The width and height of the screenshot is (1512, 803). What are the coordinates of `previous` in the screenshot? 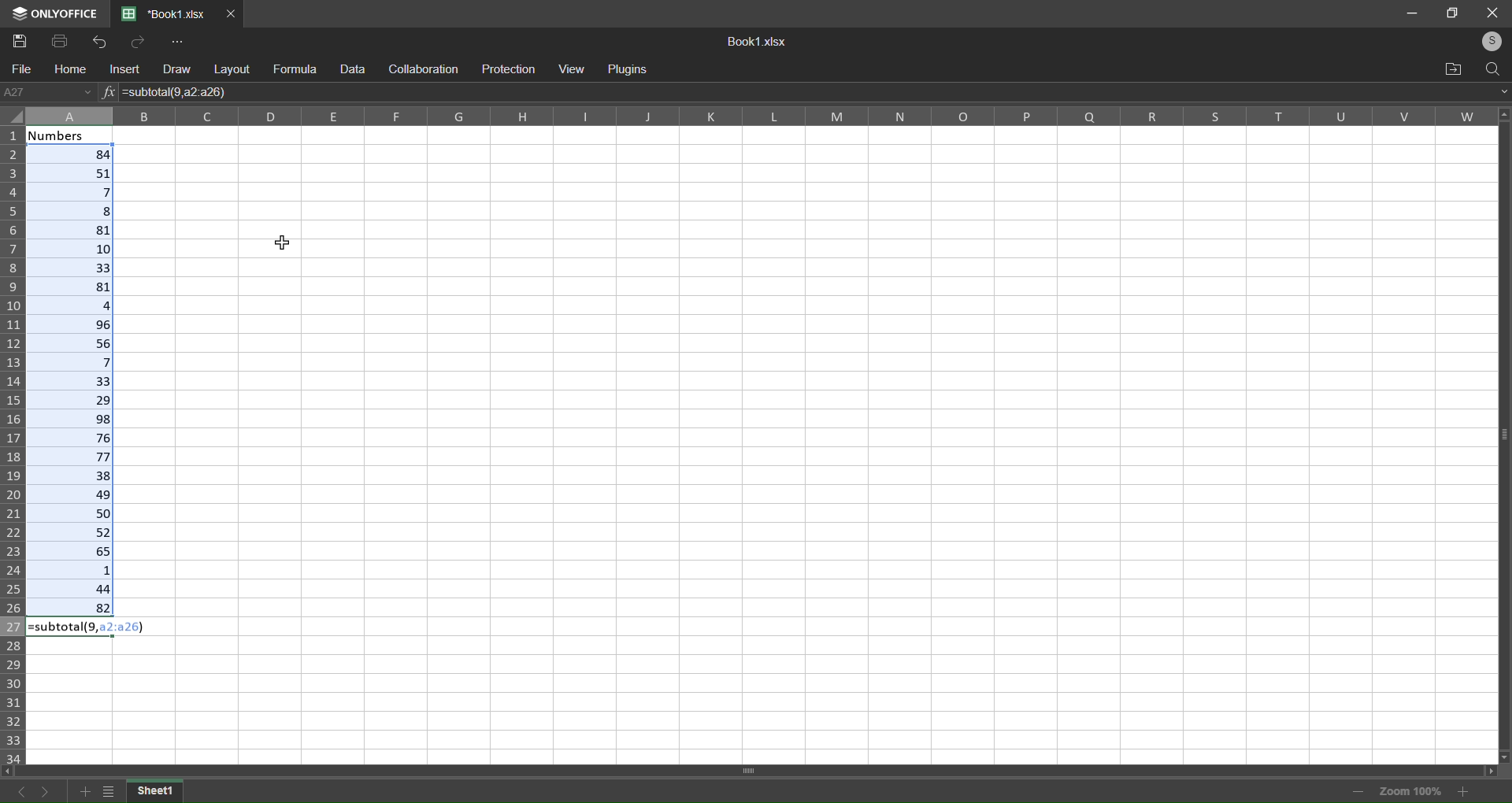 It's located at (15, 789).